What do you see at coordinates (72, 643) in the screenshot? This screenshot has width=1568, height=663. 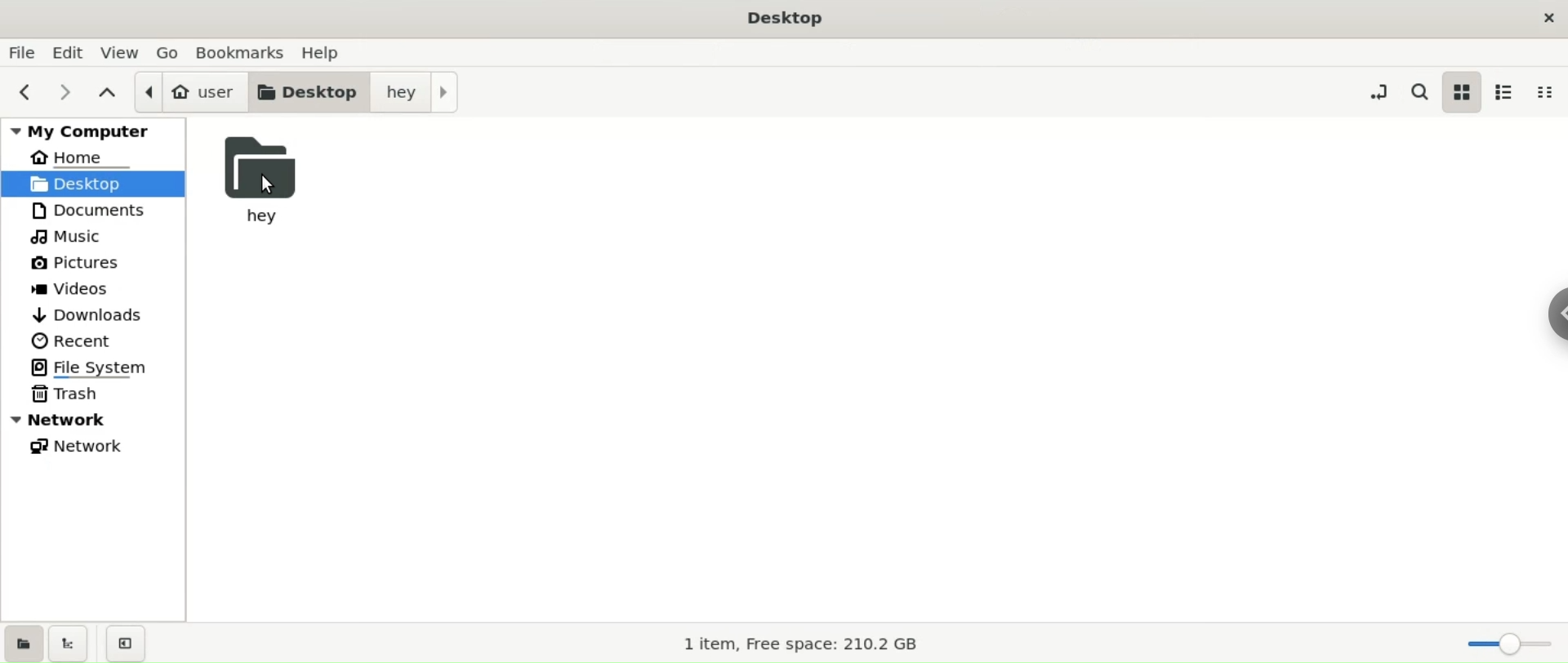 I see `show treeview` at bounding box center [72, 643].